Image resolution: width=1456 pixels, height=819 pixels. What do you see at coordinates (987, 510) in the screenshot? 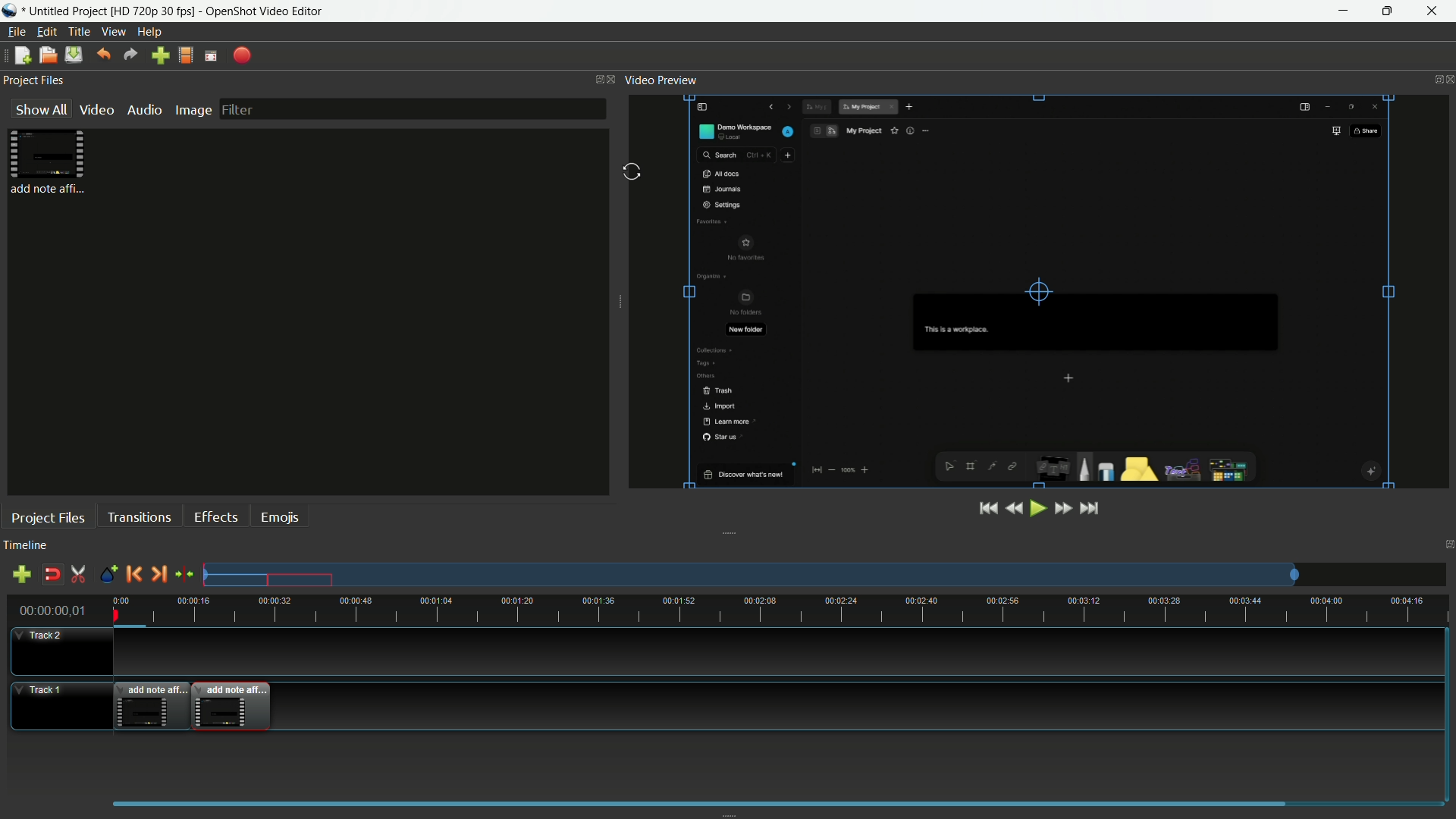
I see `jump to start` at bounding box center [987, 510].